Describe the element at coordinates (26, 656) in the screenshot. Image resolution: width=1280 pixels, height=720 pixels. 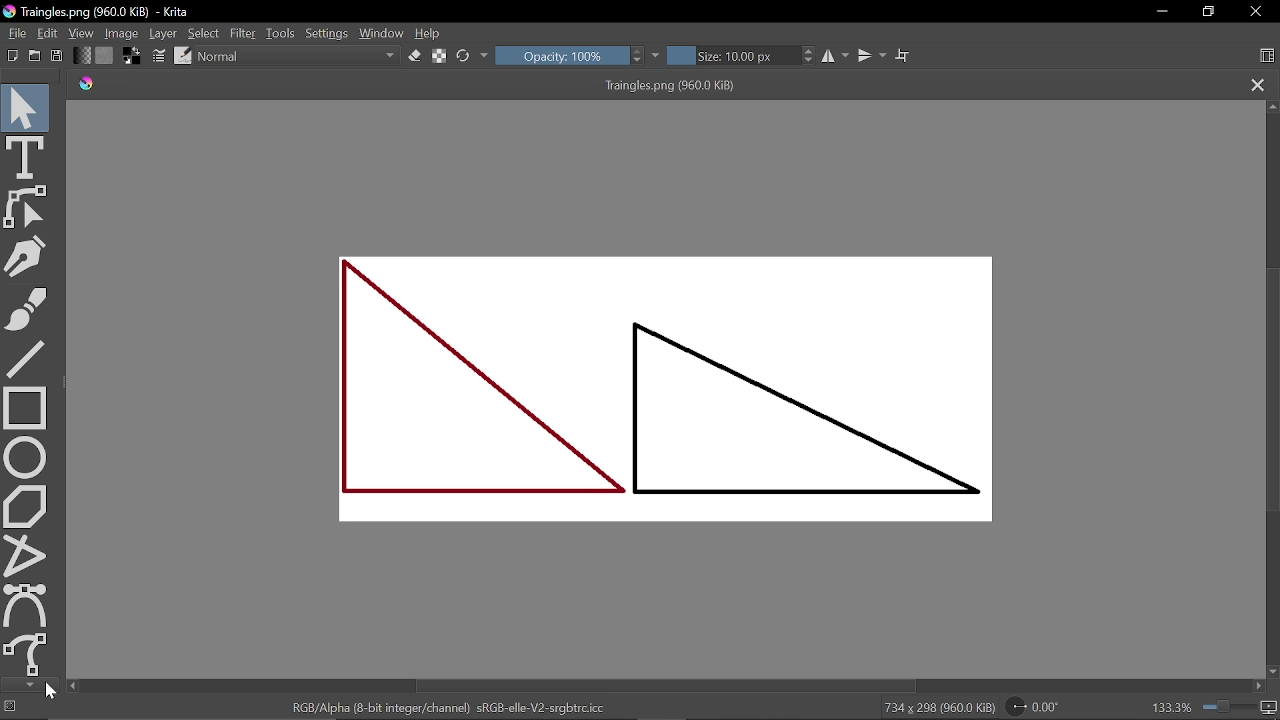
I see `Freehand pathtool` at that location.